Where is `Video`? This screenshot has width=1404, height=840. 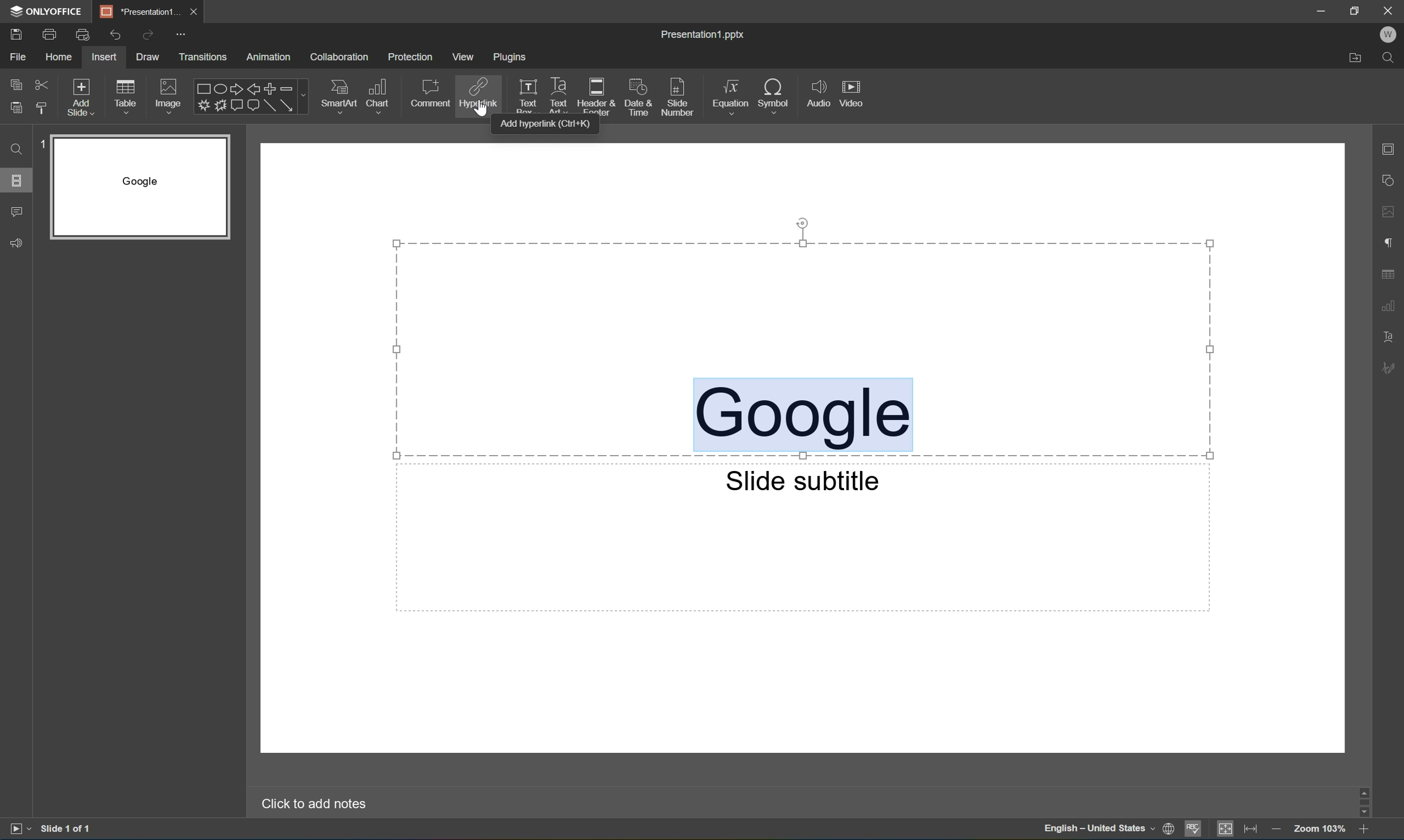
Video is located at coordinates (850, 92).